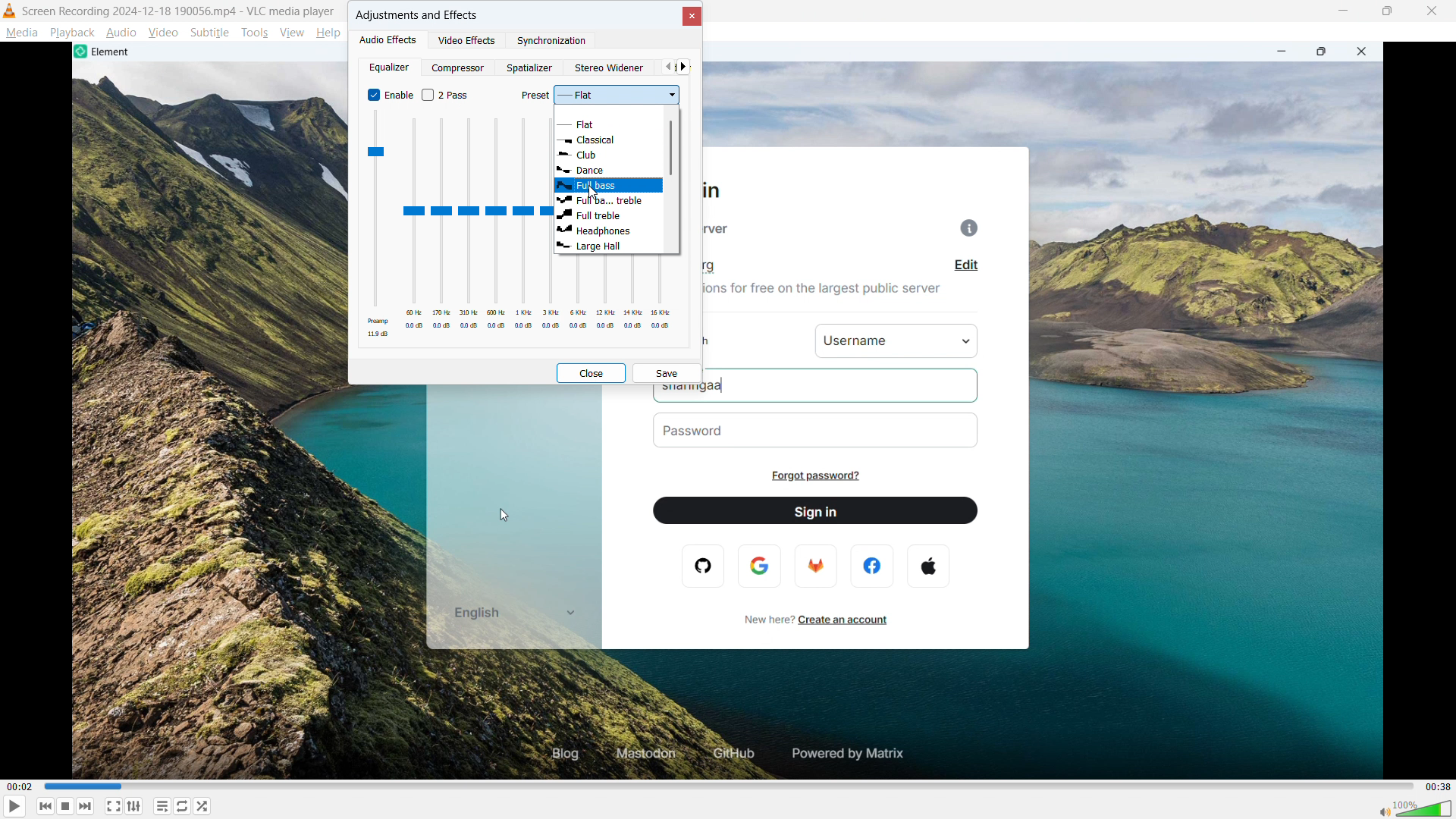 This screenshot has width=1456, height=819. Describe the element at coordinates (730, 582) in the screenshot. I see `Video Playback` at that location.